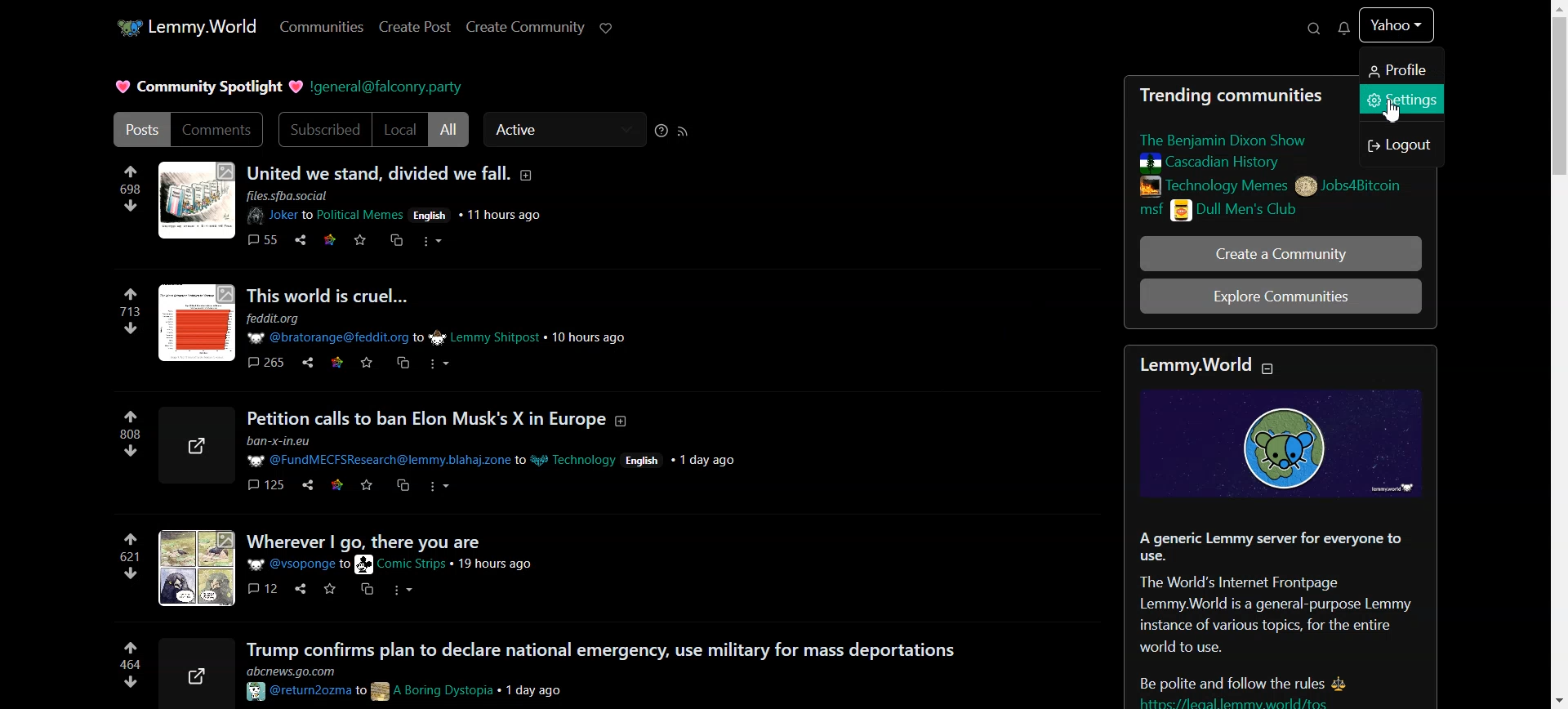  What do you see at coordinates (563, 129) in the screenshot?
I see `Active` at bounding box center [563, 129].